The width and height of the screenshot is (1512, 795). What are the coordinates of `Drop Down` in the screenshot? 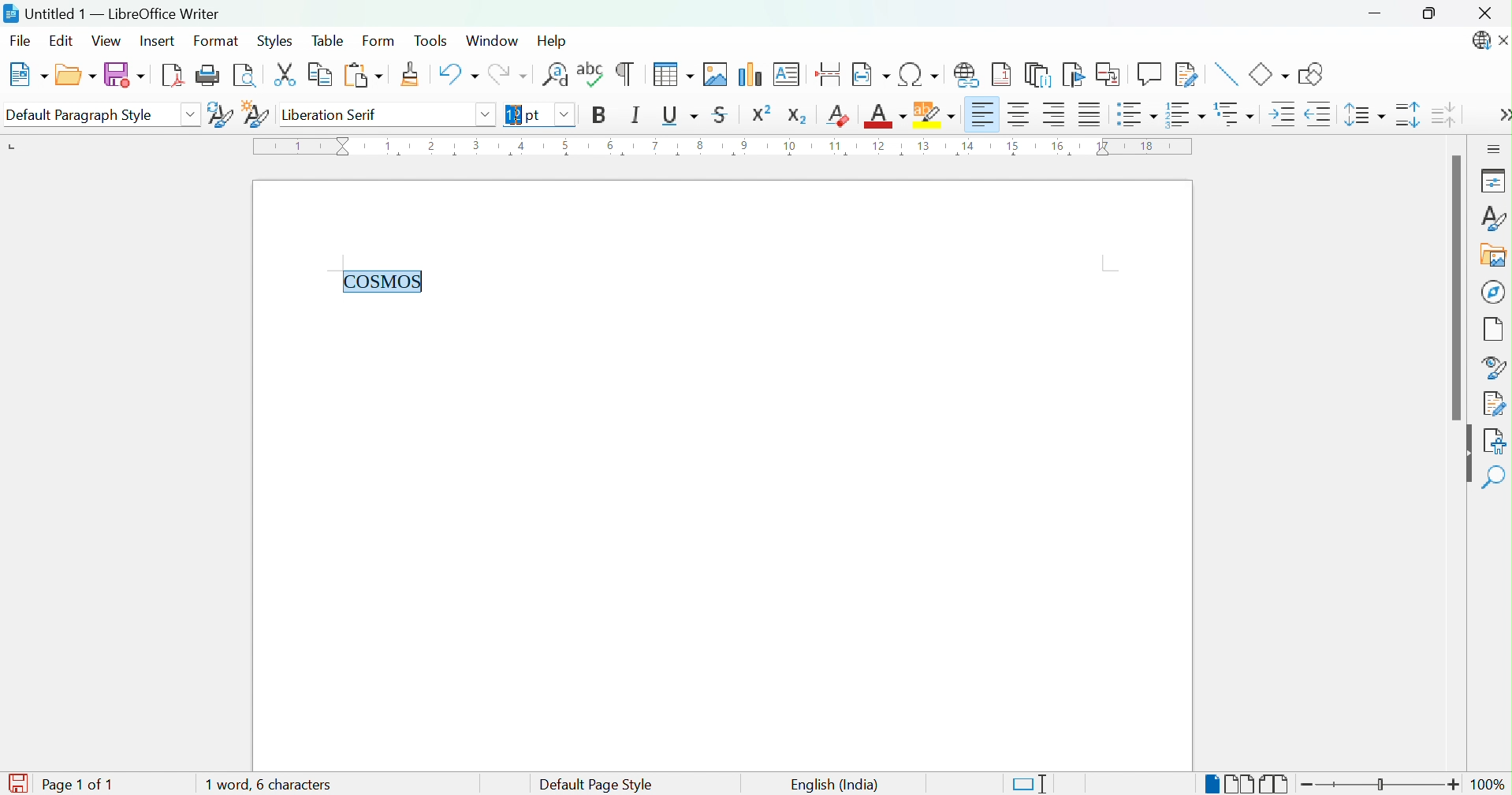 It's located at (191, 114).